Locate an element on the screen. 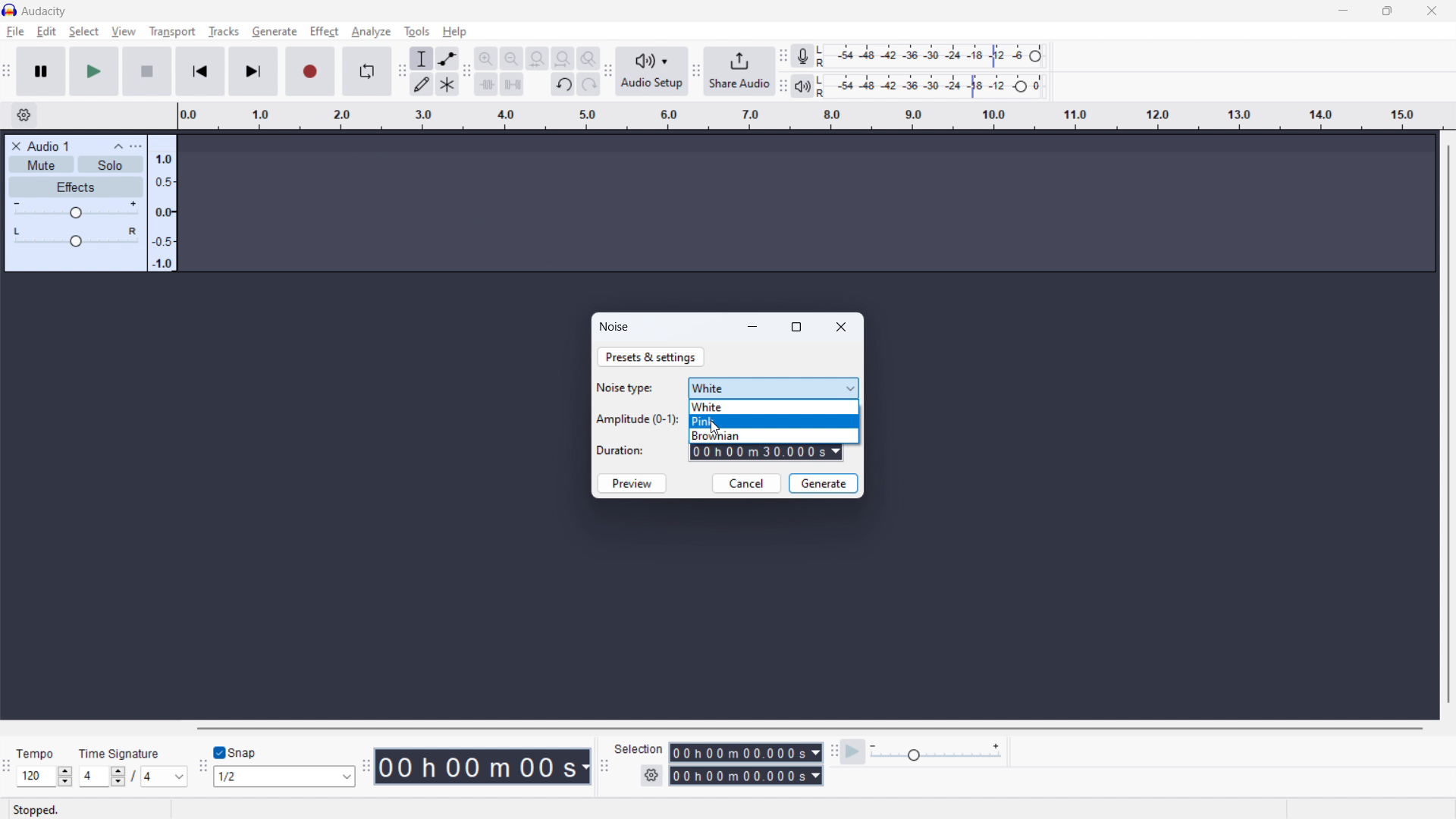 Image resolution: width=1456 pixels, height=819 pixels. zoom in is located at coordinates (486, 58).